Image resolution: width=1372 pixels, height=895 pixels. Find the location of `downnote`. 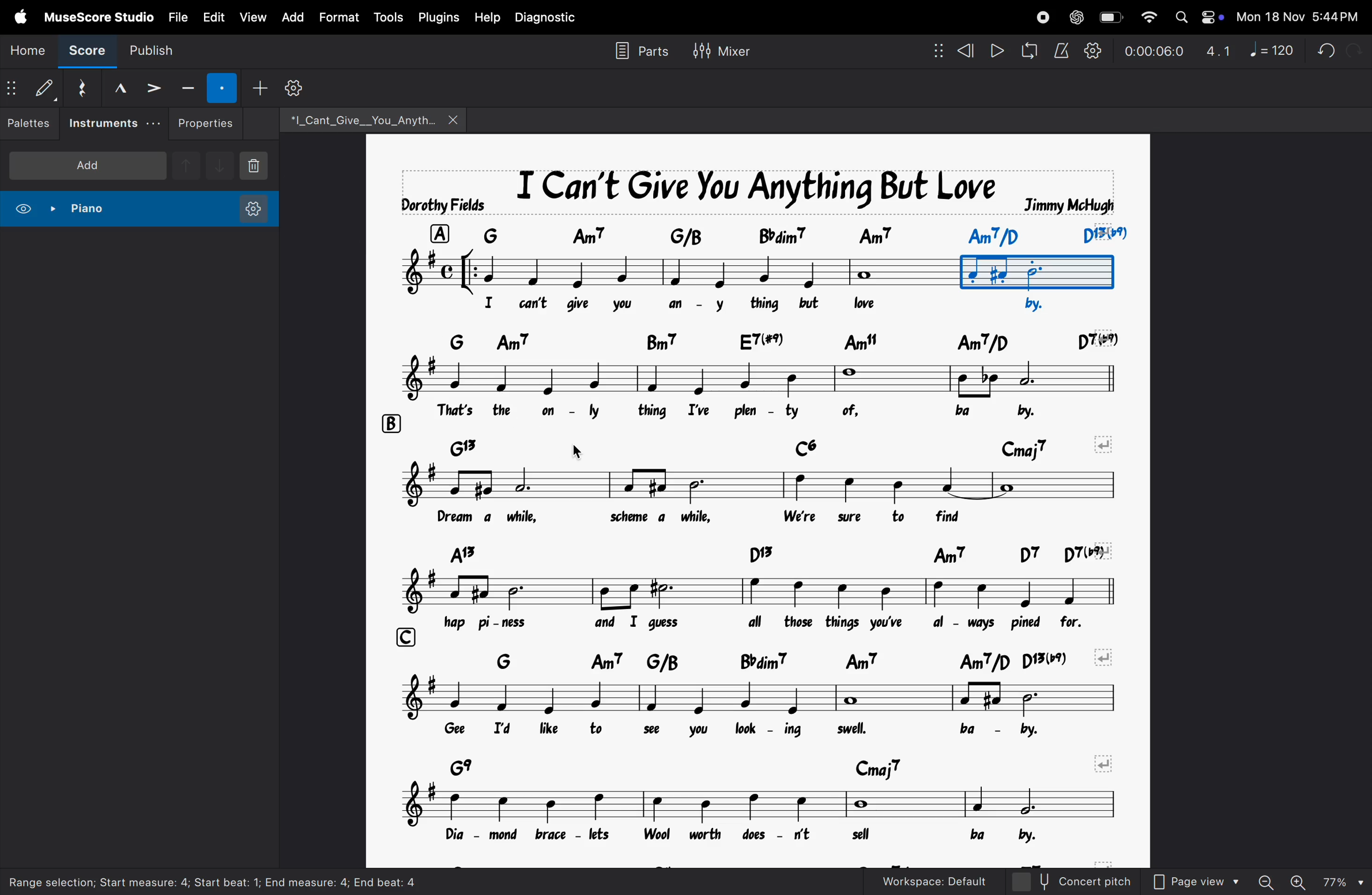

downnote is located at coordinates (218, 166).